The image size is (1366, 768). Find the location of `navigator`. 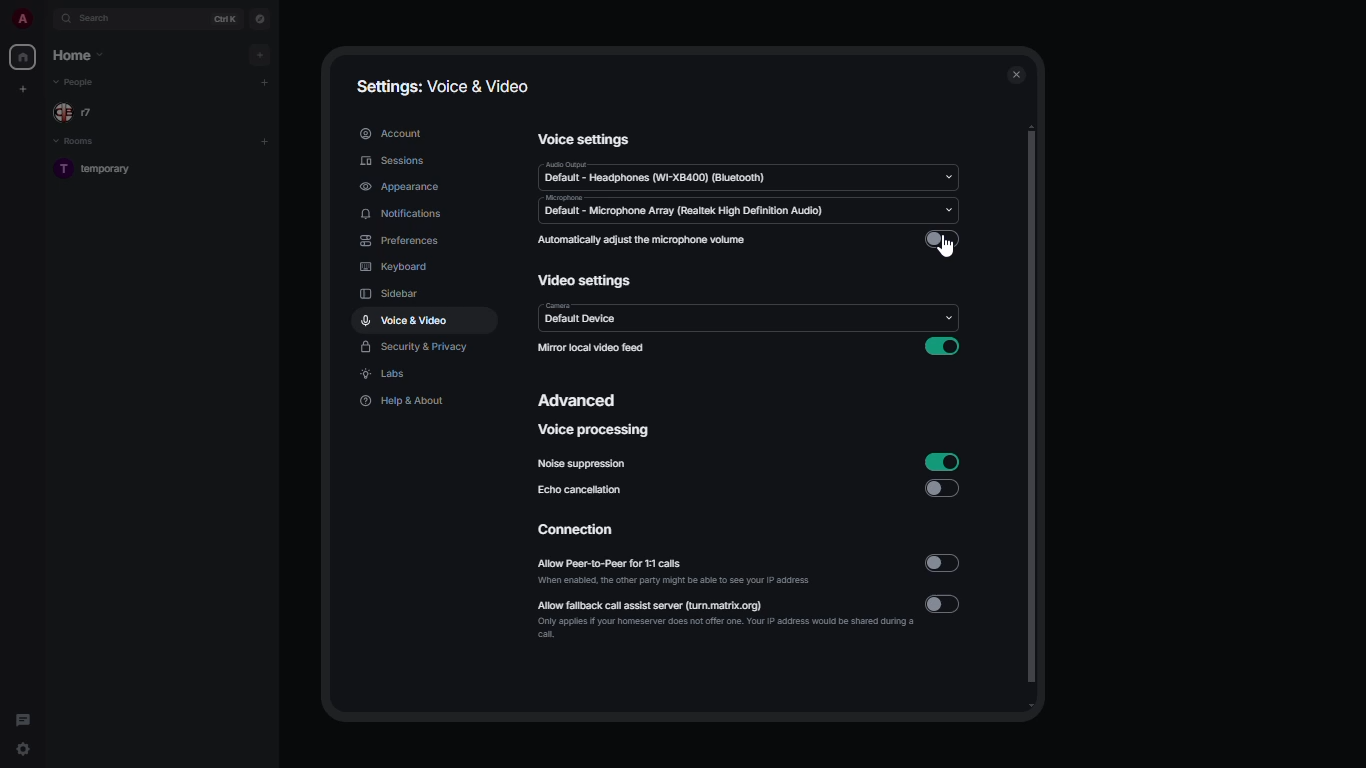

navigator is located at coordinates (258, 20).